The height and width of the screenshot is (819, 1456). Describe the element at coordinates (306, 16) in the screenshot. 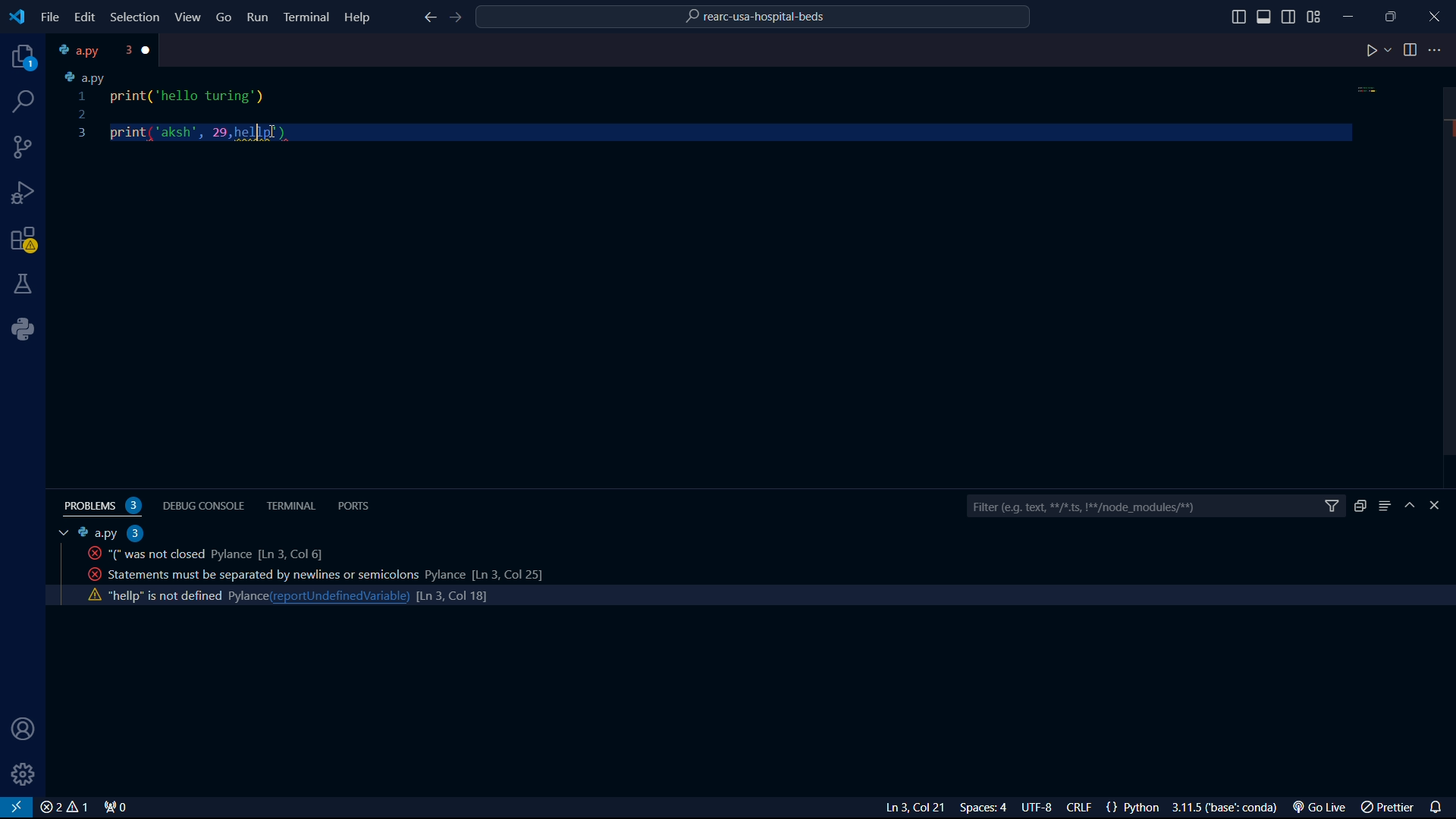

I see `Terminal` at that location.